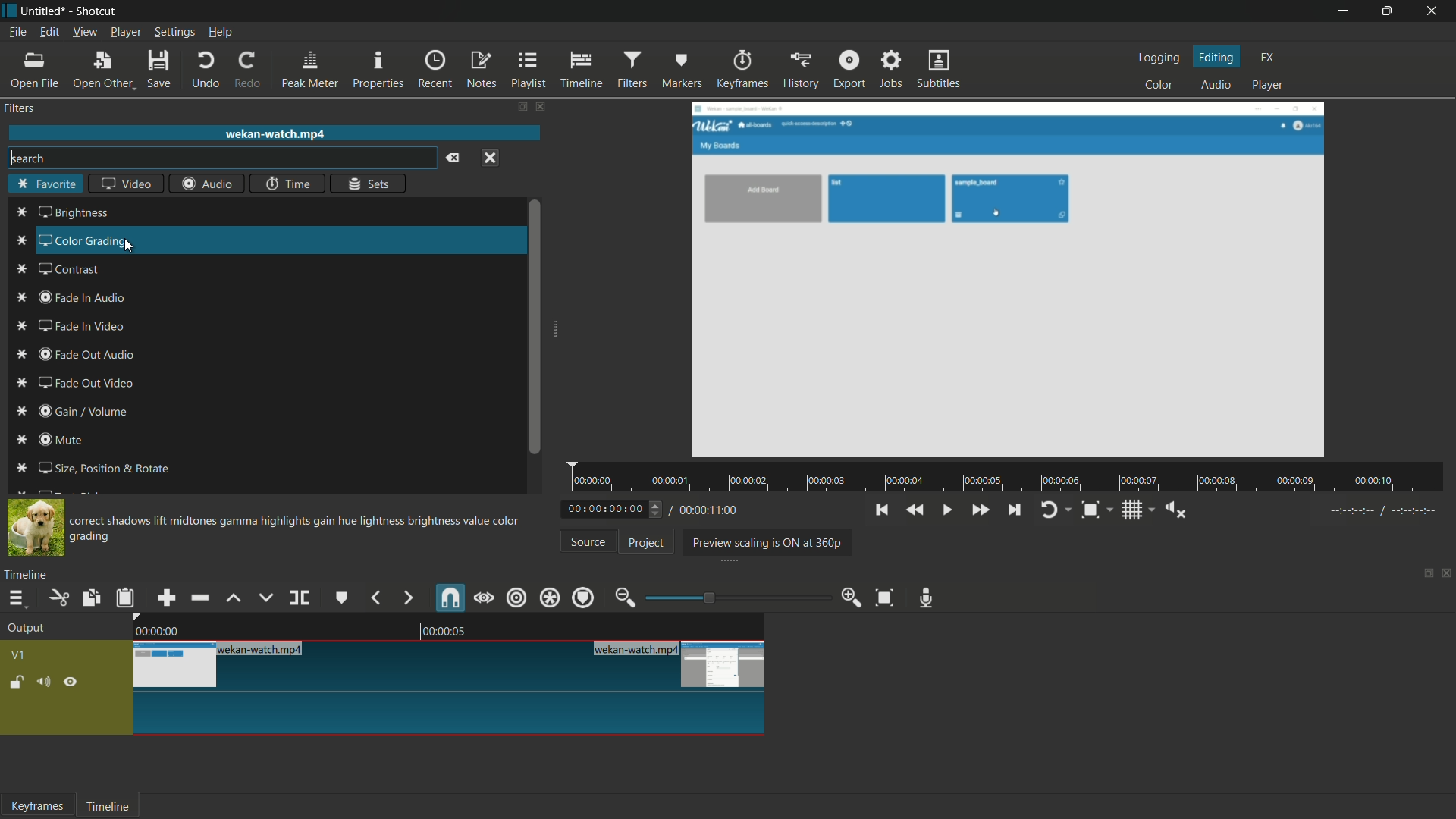  I want to click on sets, so click(368, 183).